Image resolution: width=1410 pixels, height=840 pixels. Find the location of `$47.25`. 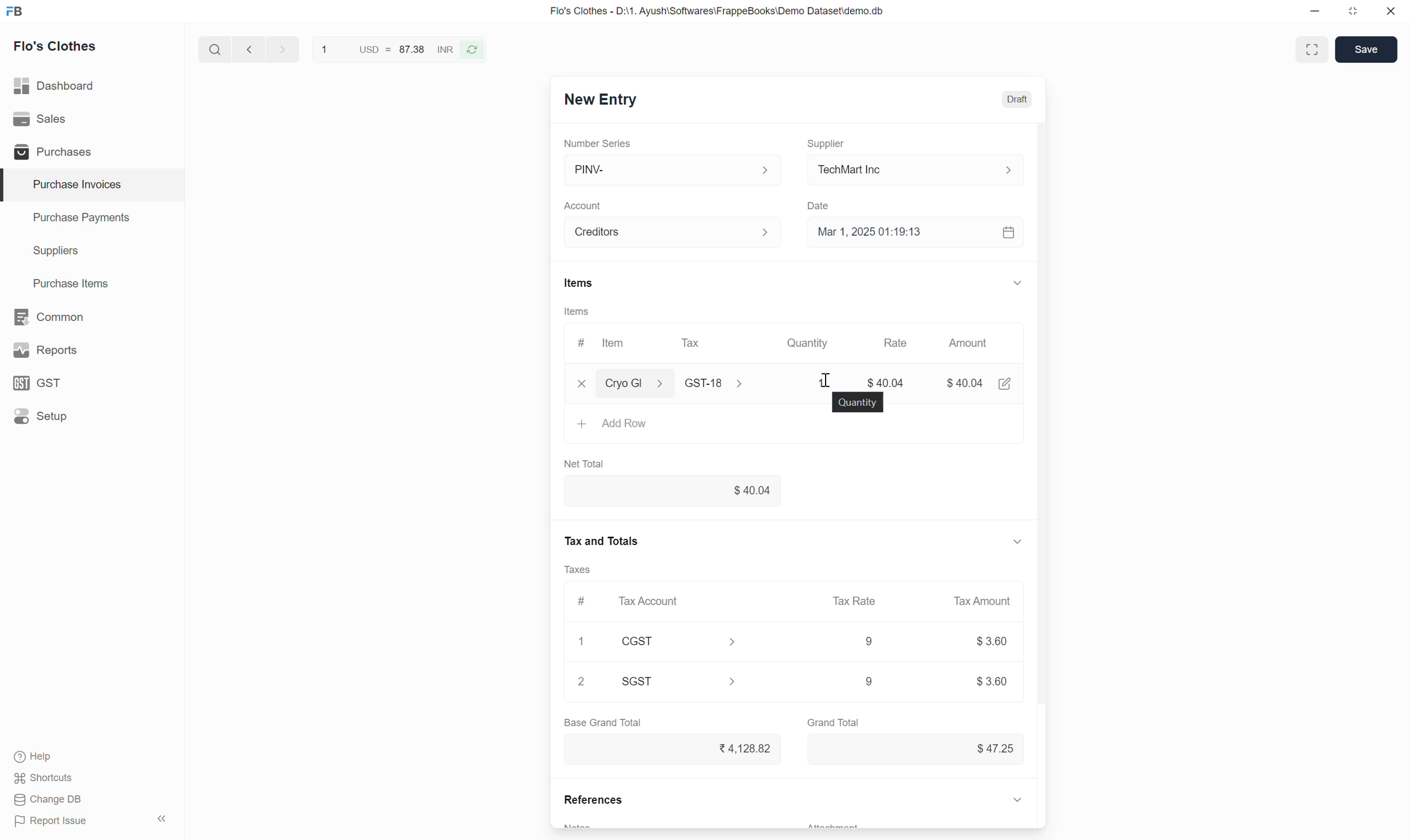

$47.25 is located at coordinates (988, 748).